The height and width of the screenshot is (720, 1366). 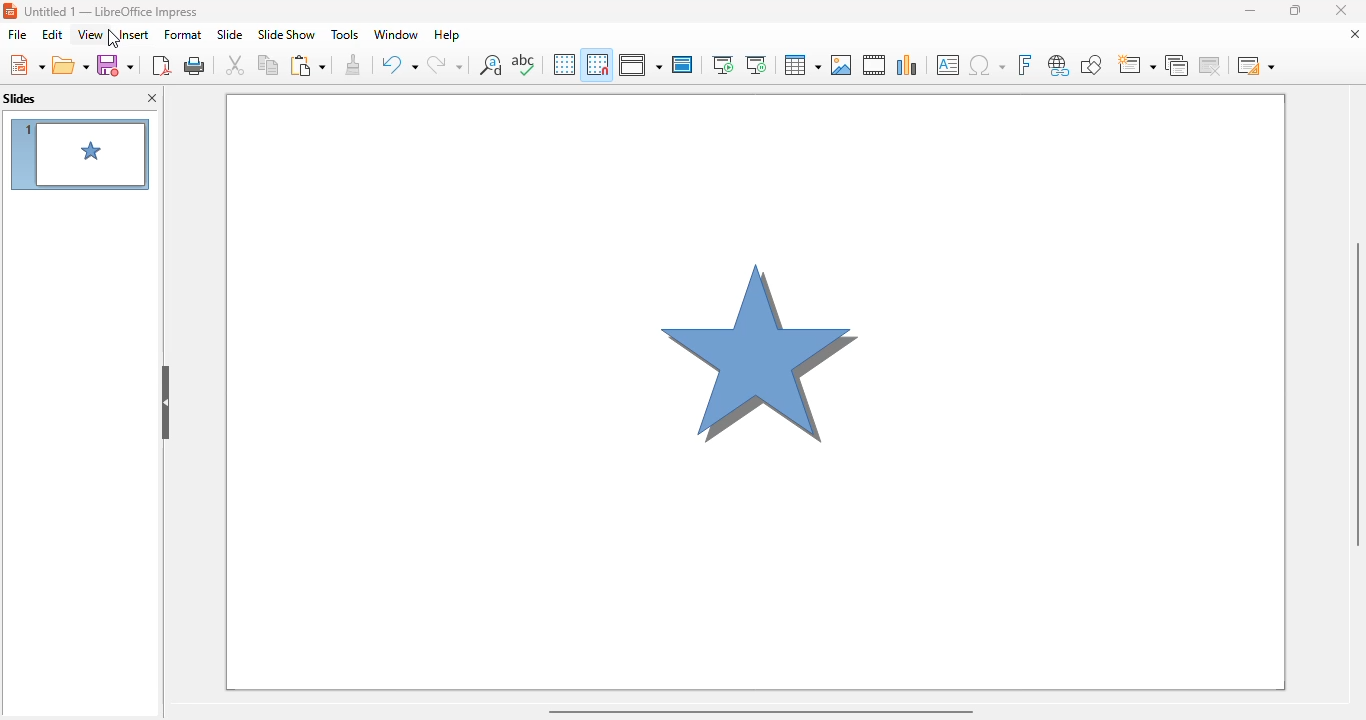 What do you see at coordinates (345, 35) in the screenshot?
I see `tools` at bounding box center [345, 35].